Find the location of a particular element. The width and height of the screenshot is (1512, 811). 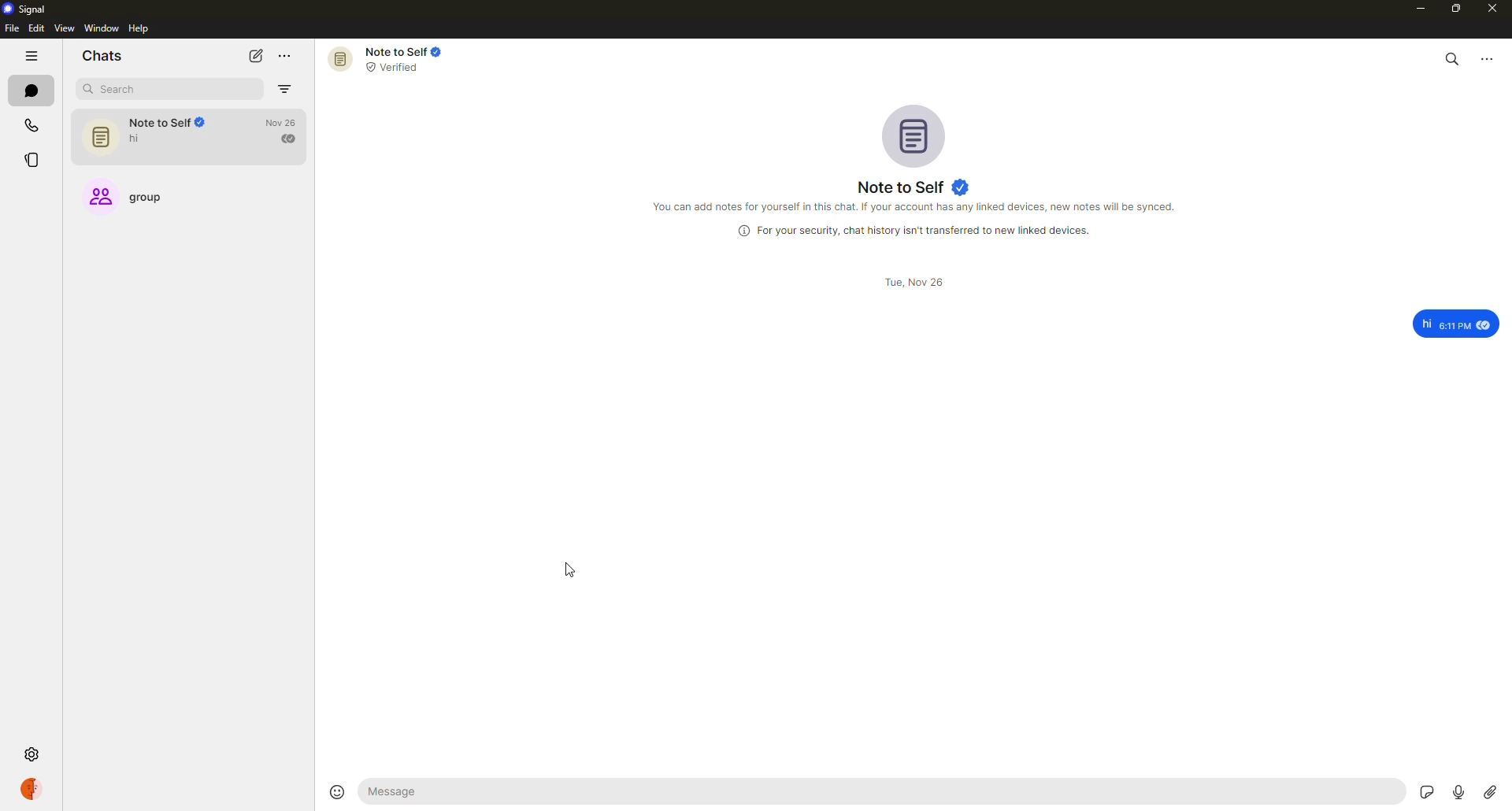

help is located at coordinates (139, 29).